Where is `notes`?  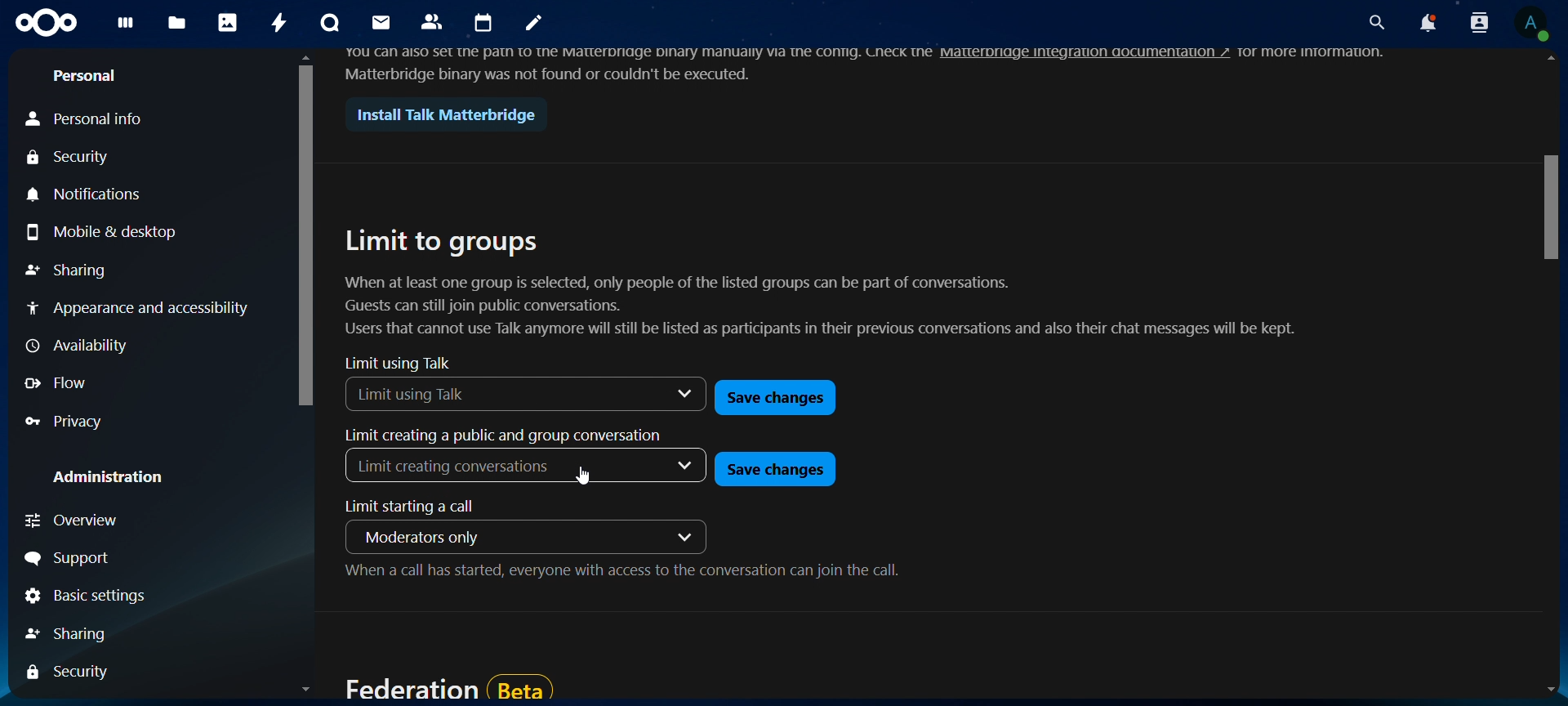
notes is located at coordinates (533, 25).